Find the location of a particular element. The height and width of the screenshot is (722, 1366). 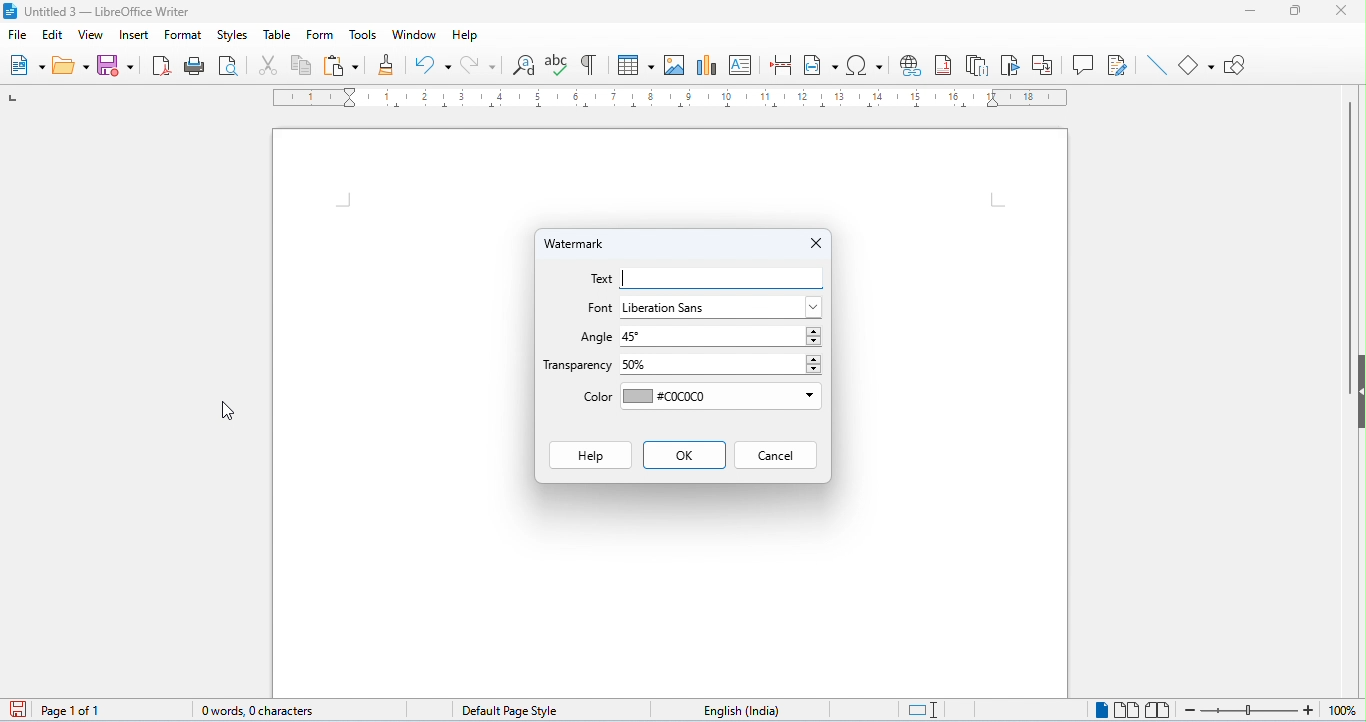

select color is located at coordinates (721, 399).